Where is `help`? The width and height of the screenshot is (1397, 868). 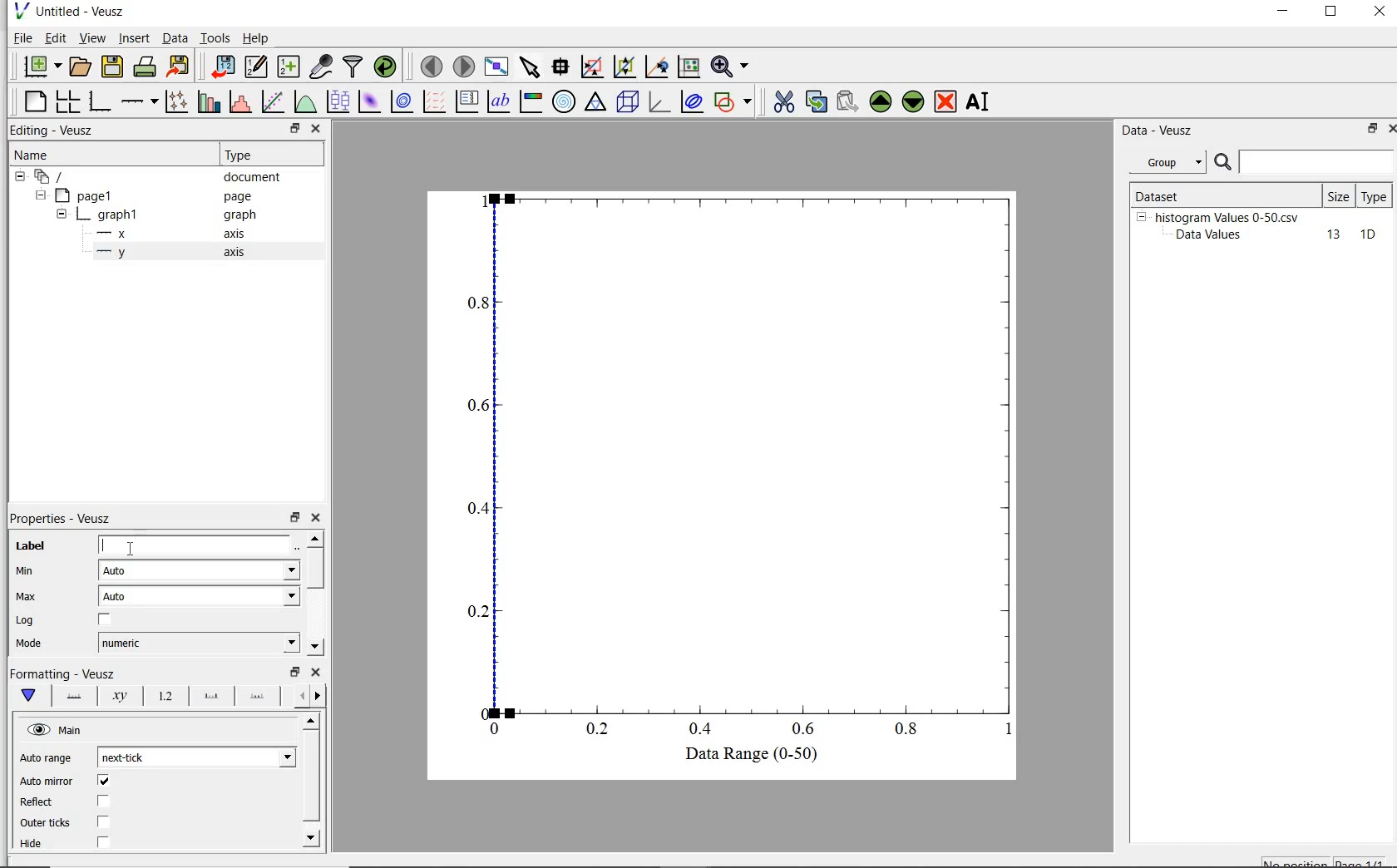 help is located at coordinates (259, 38).